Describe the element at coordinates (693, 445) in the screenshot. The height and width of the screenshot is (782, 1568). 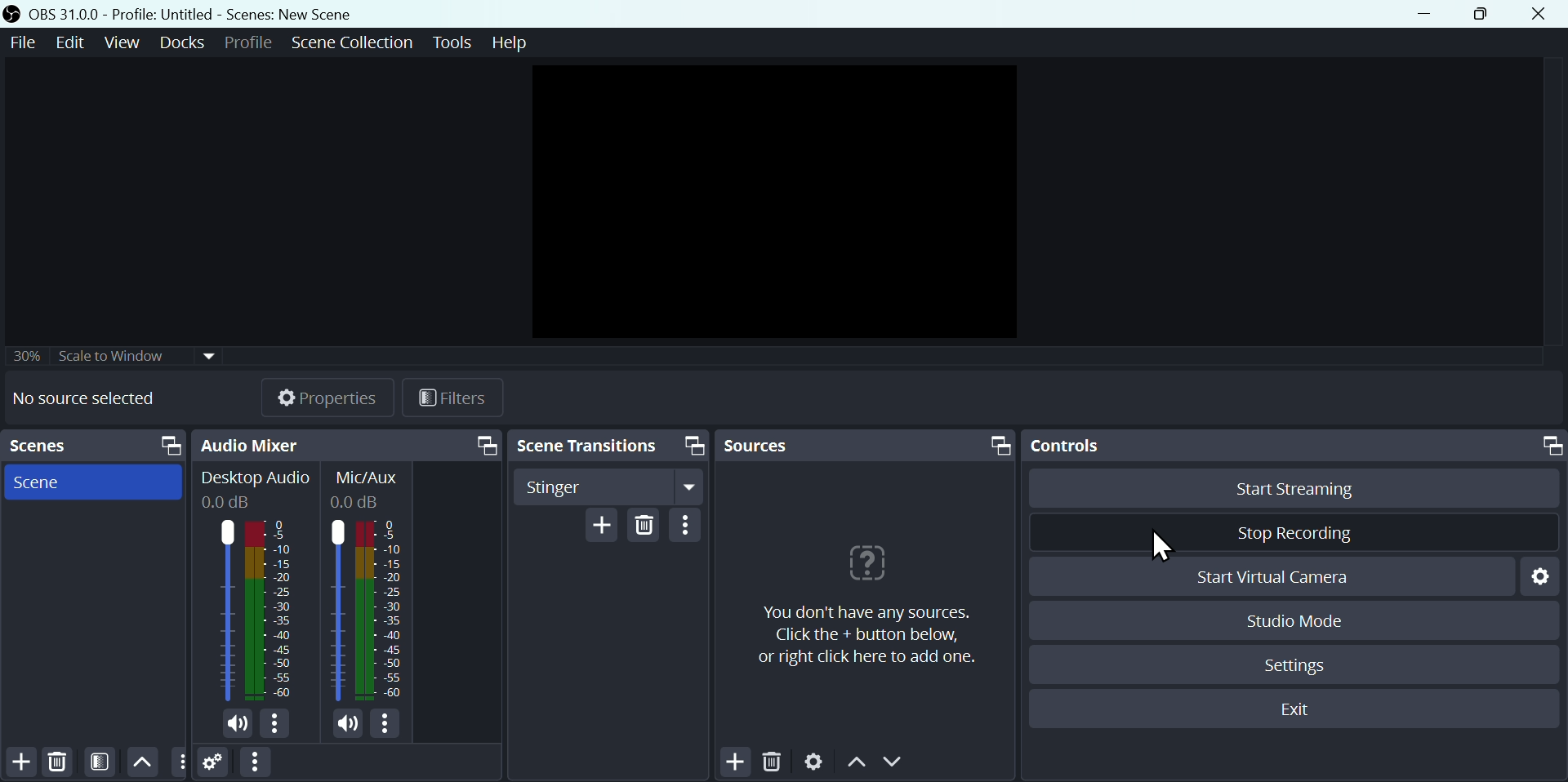
I see `maximize` at that location.